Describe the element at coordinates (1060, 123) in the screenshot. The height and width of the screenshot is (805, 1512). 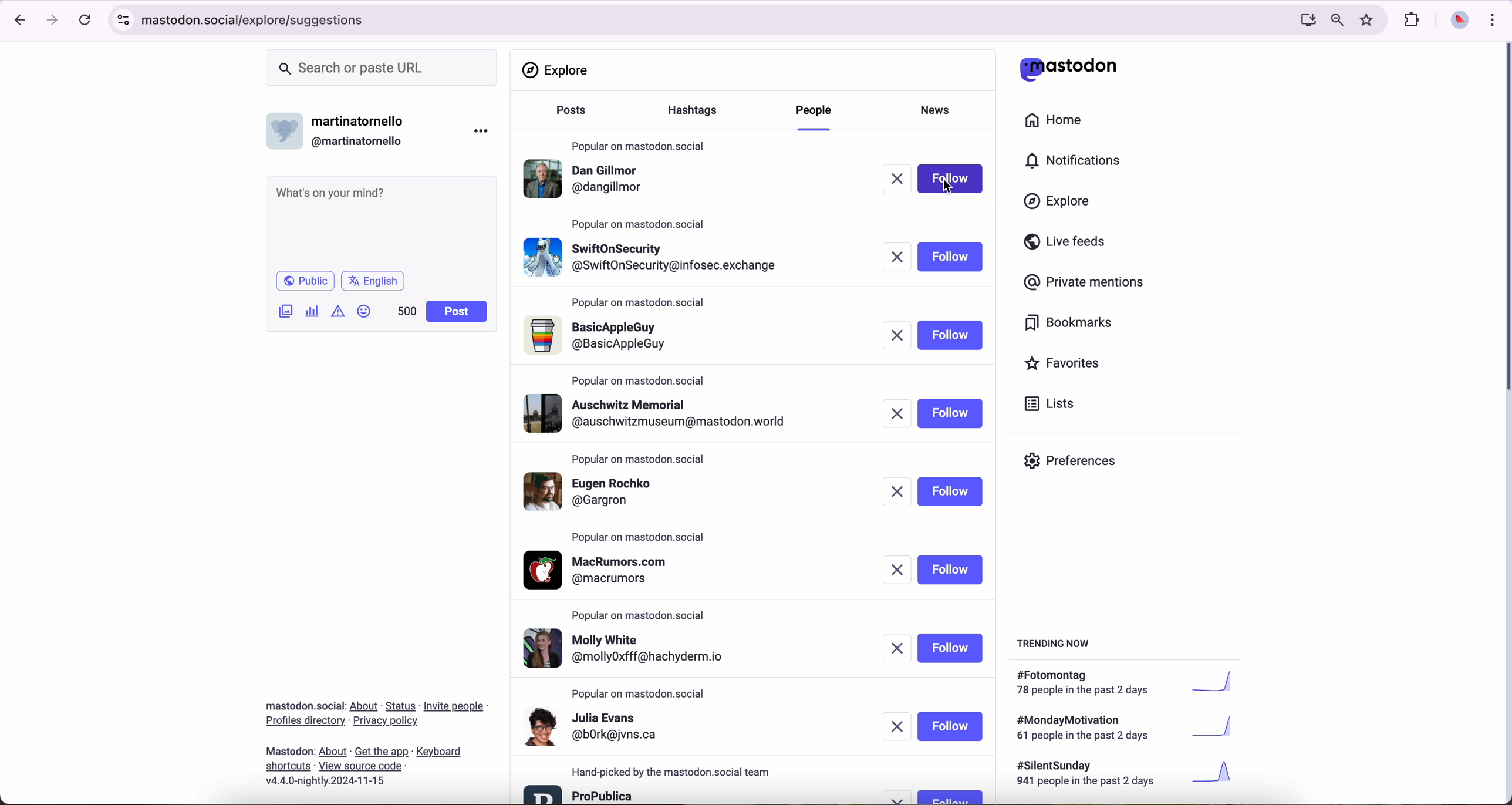
I see `home` at that location.